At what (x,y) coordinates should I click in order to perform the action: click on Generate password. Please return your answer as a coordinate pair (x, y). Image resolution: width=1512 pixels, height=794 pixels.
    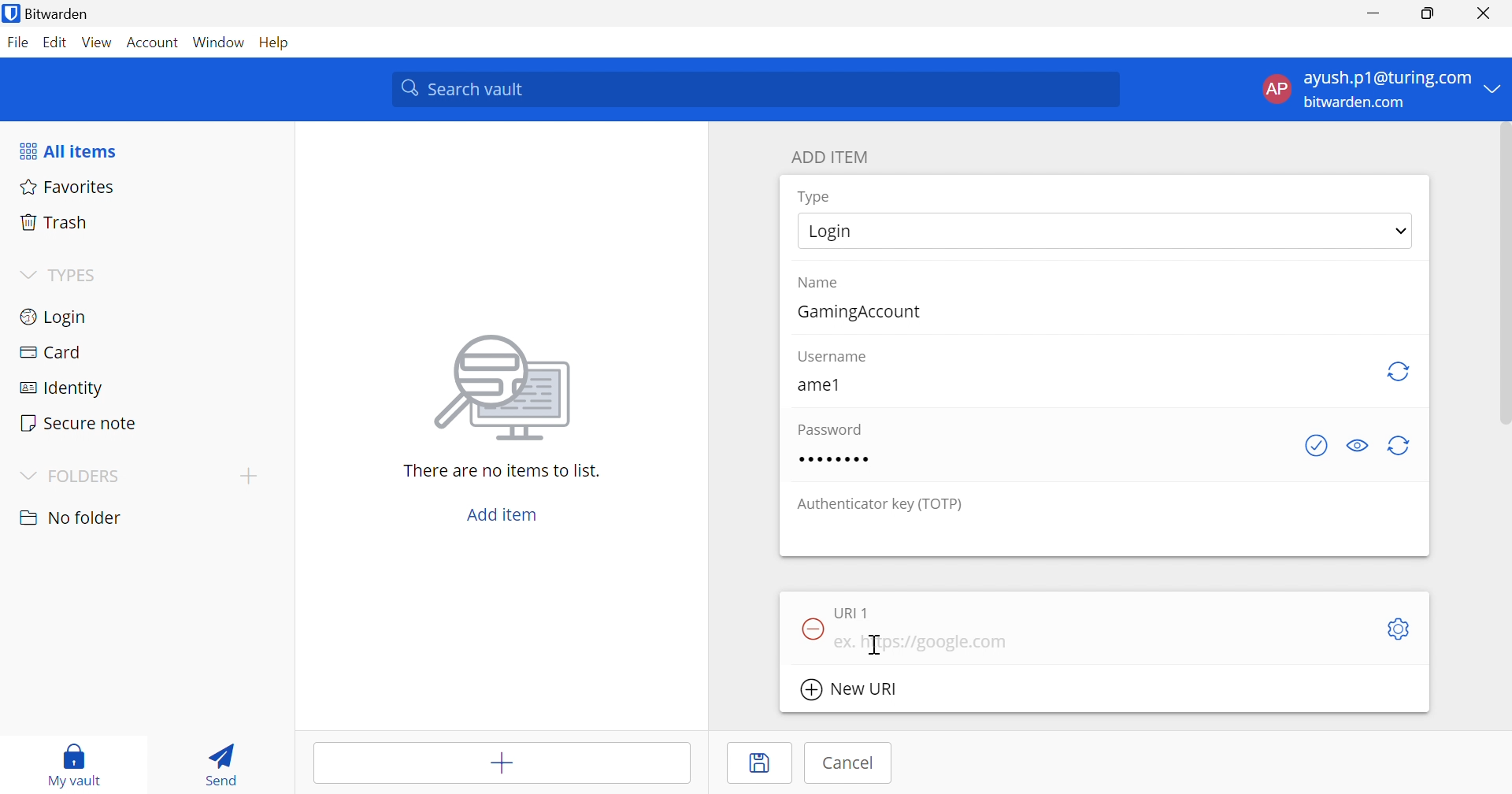
    Looking at the image, I should click on (1319, 447).